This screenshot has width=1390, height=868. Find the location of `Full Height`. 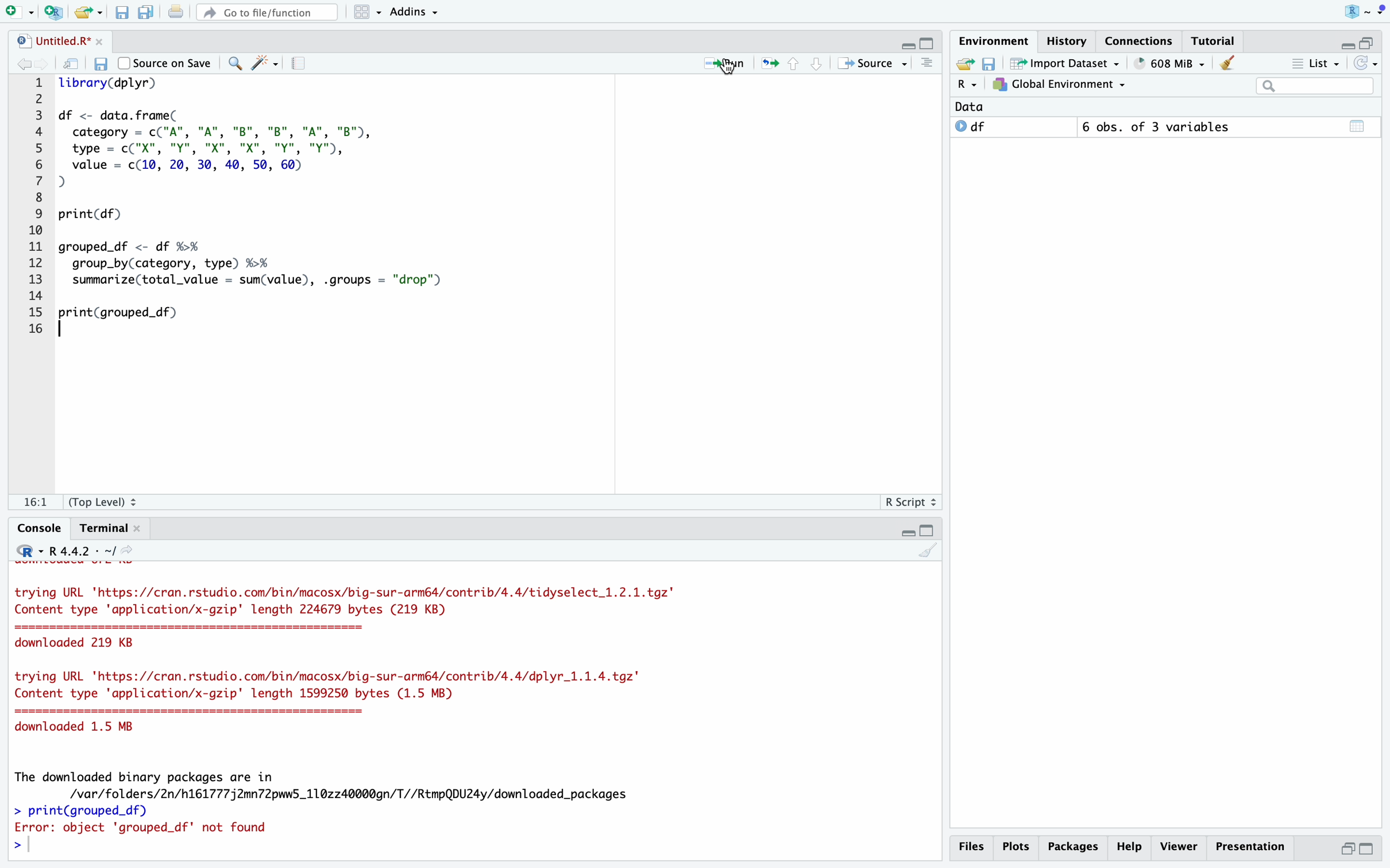

Full Height is located at coordinates (929, 530).